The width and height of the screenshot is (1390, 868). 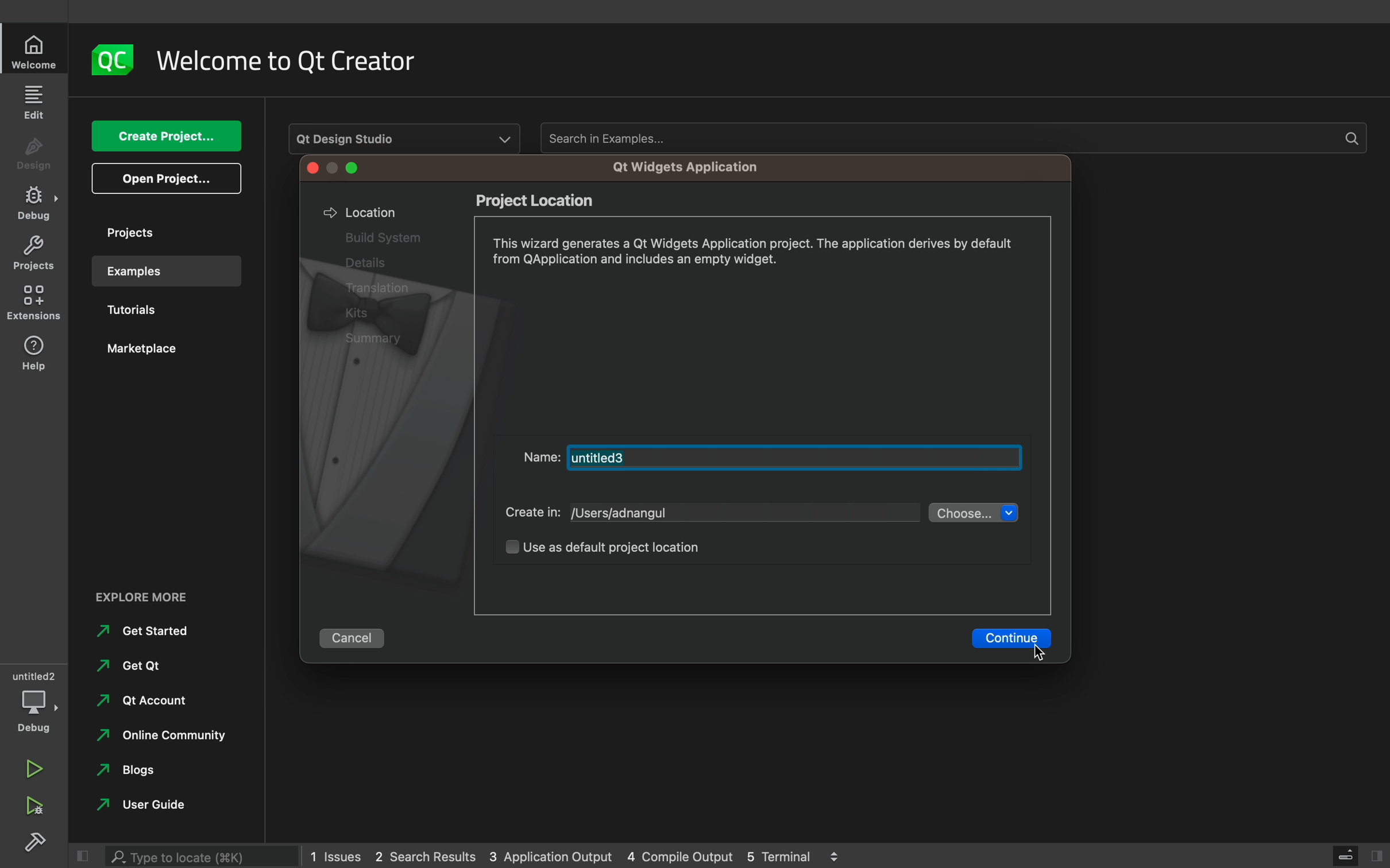 I want to click on , so click(x=87, y=855).